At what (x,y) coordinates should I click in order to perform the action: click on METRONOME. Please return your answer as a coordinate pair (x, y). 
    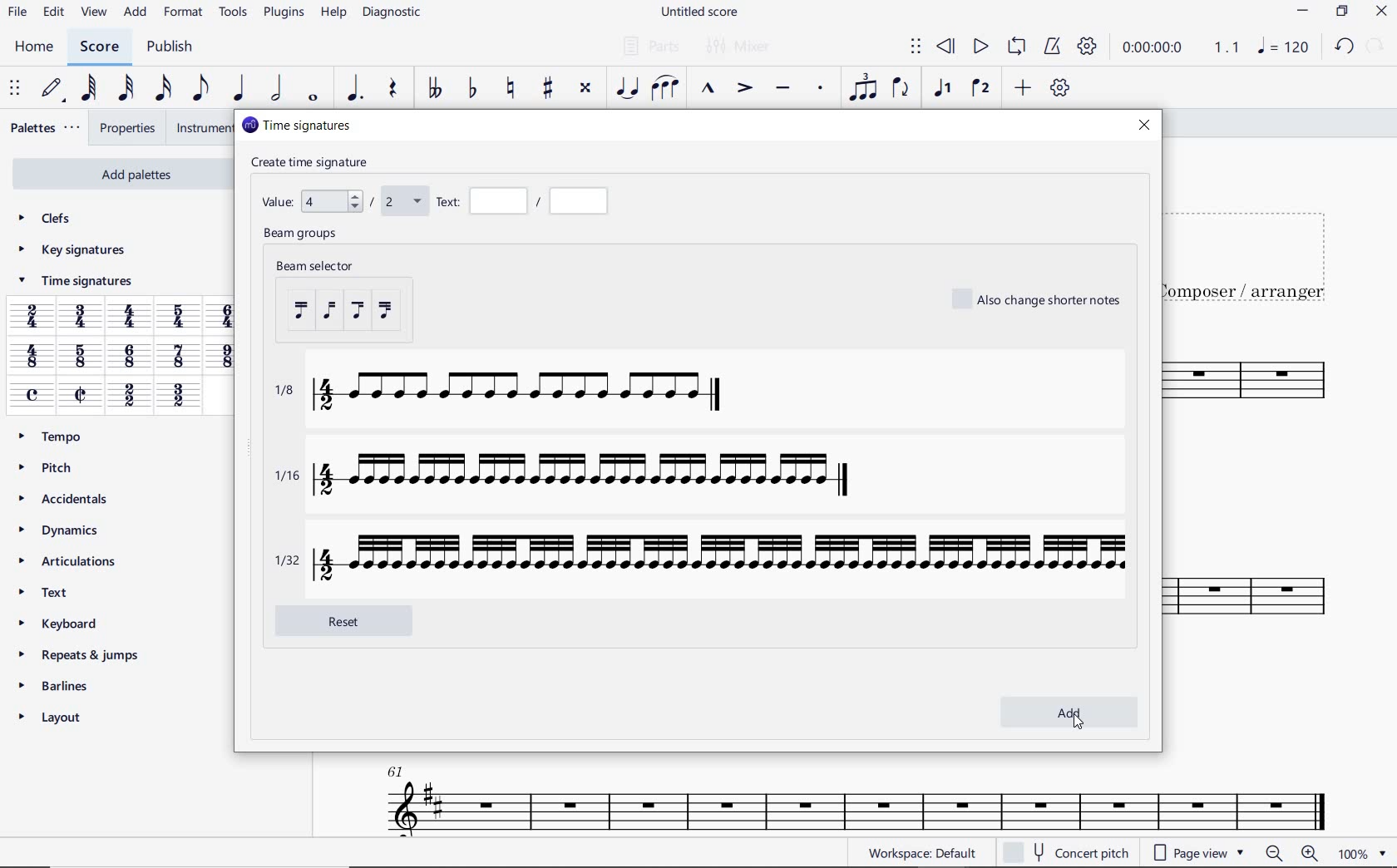
    Looking at the image, I should click on (1052, 47).